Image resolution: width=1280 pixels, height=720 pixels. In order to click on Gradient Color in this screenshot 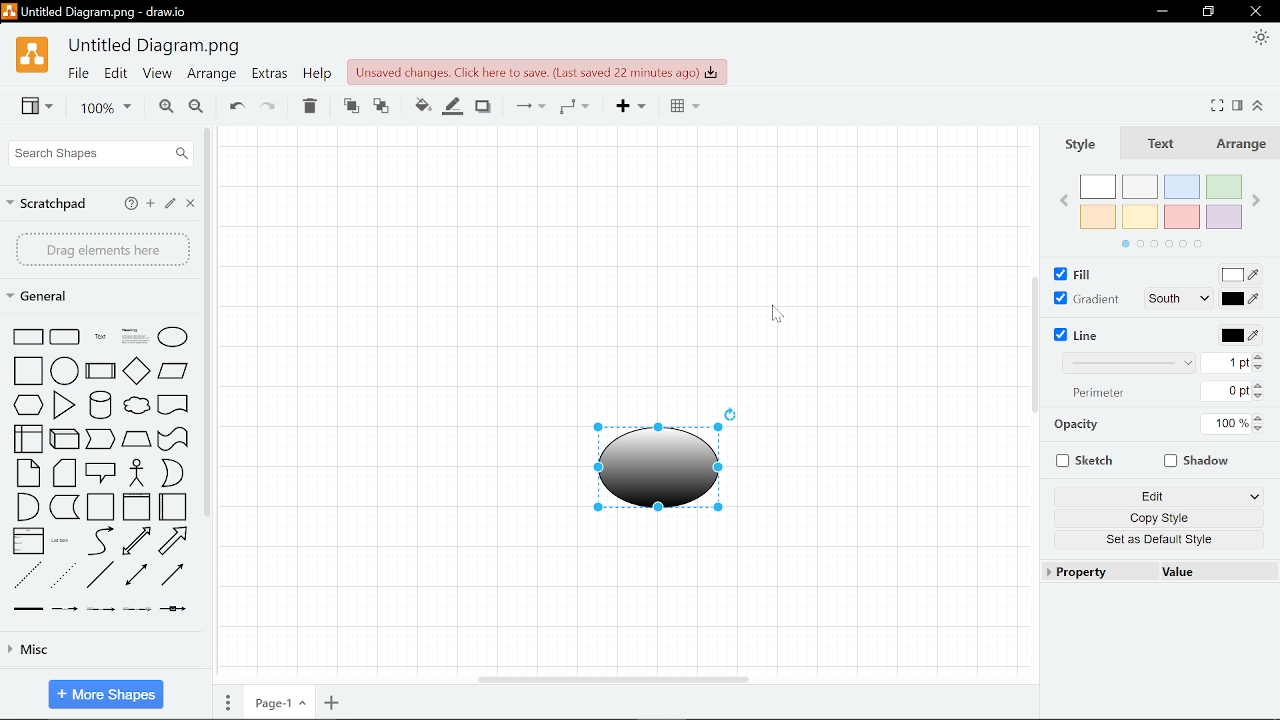, I will do `click(1247, 298)`.